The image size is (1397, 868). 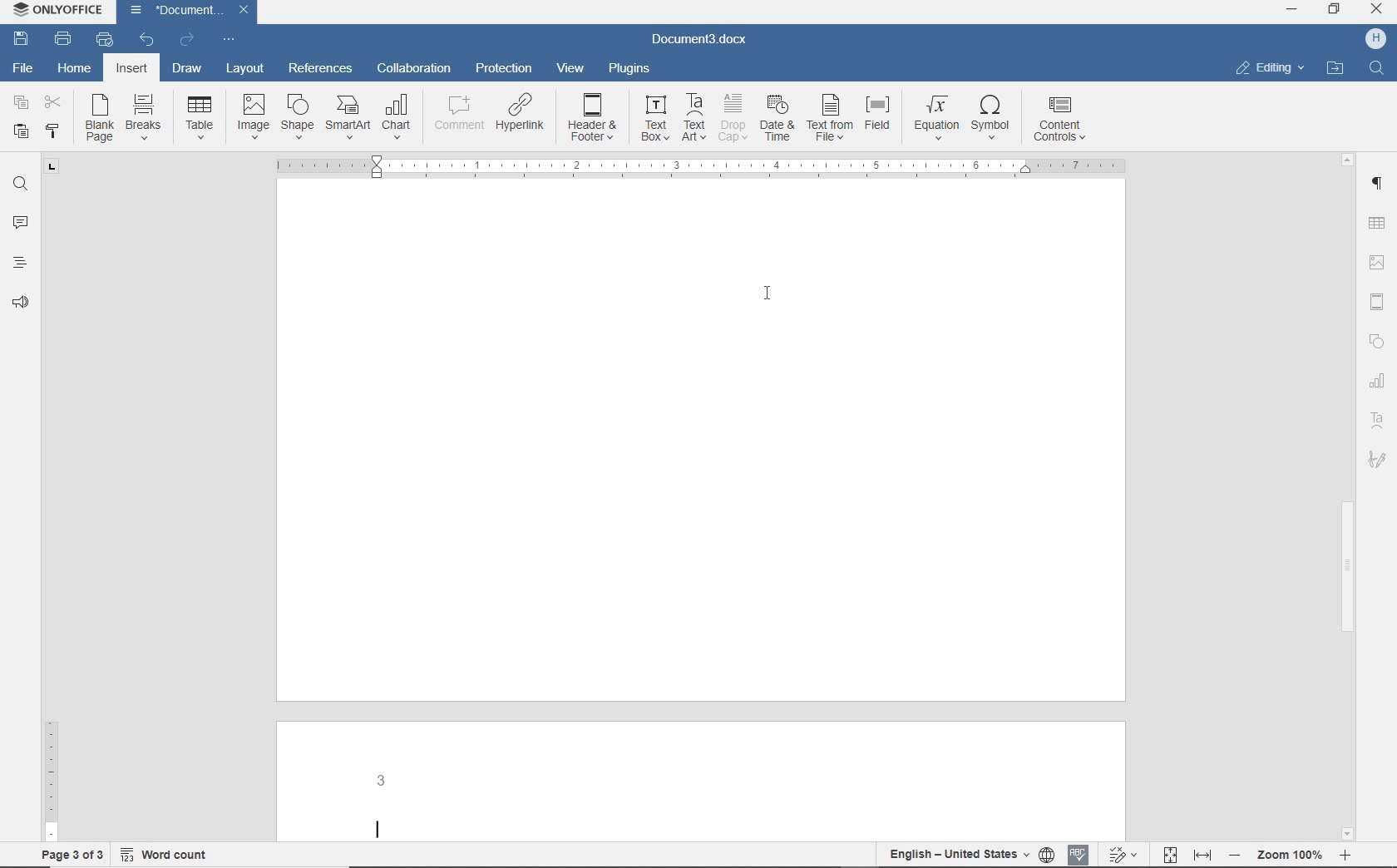 I want to click on SCROLLBAR, so click(x=1346, y=496).